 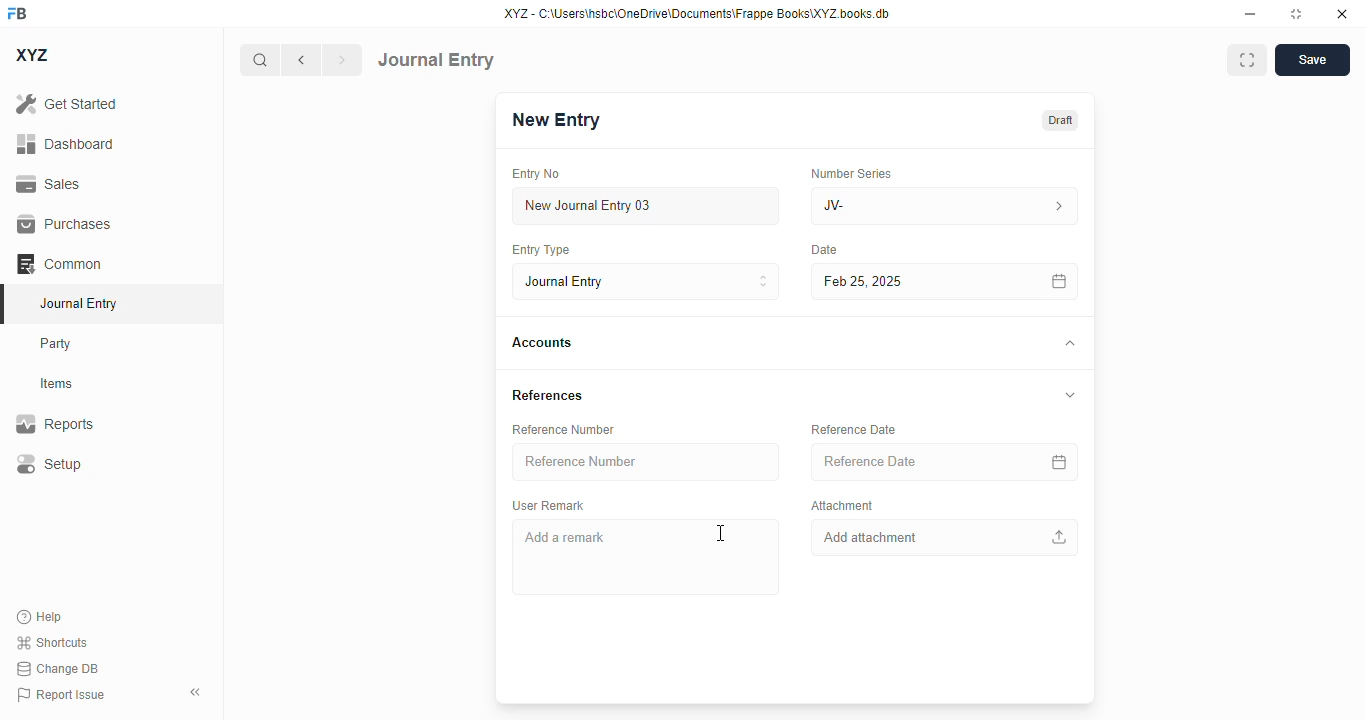 What do you see at coordinates (648, 462) in the screenshot?
I see `reference number` at bounding box center [648, 462].